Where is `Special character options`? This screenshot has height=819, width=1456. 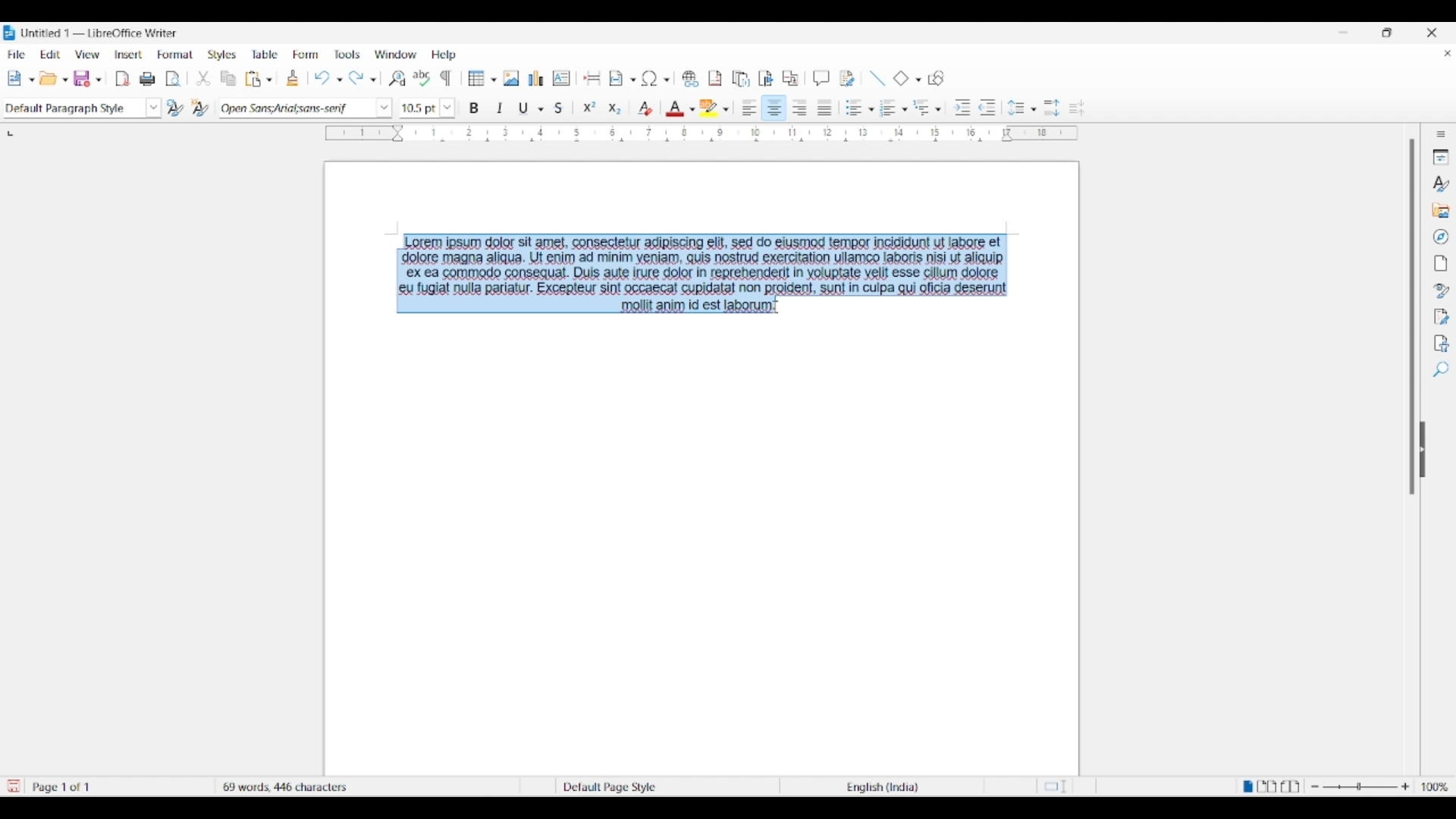 Special character options is located at coordinates (667, 80).